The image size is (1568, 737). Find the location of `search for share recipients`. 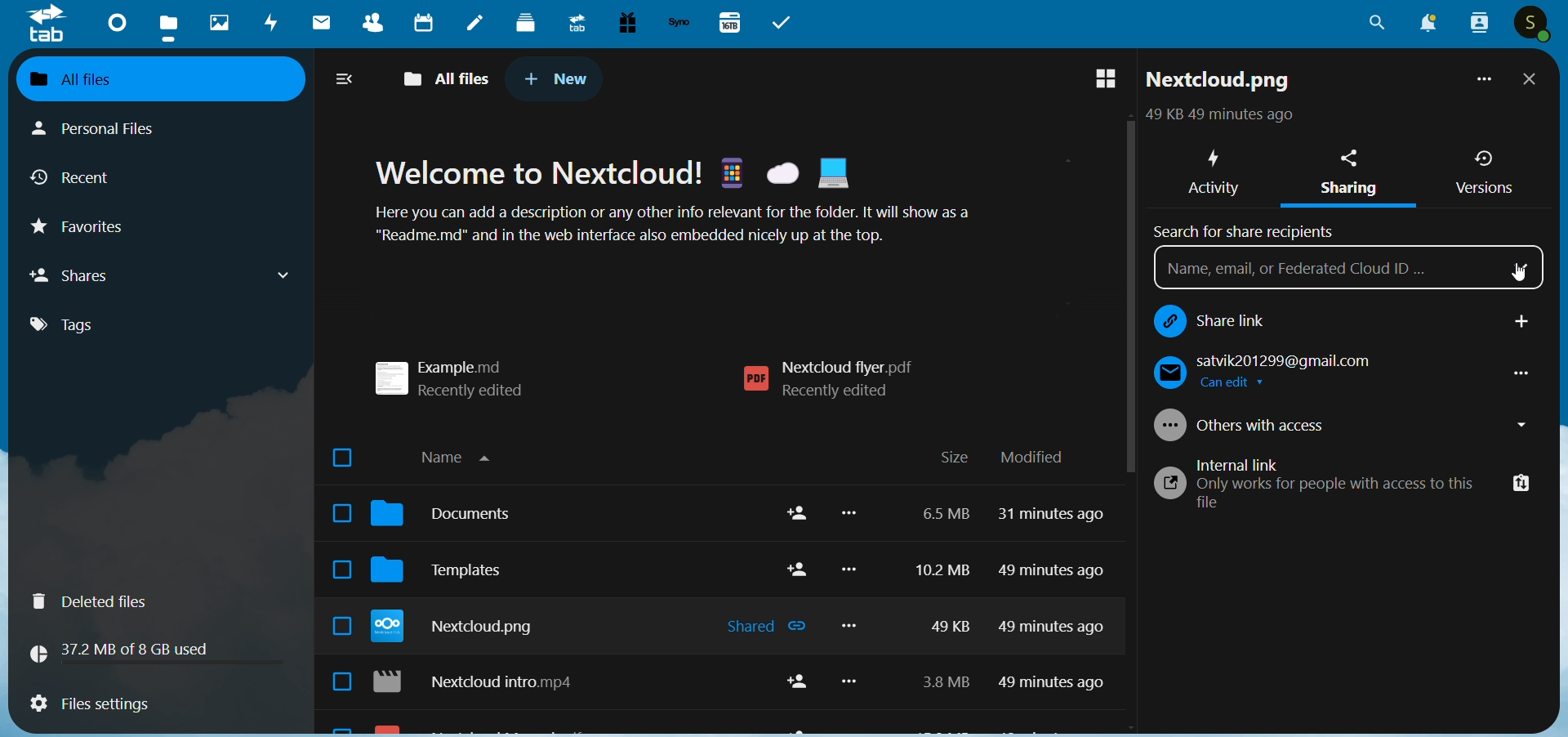

search for share recipients is located at coordinates (1249, 229).